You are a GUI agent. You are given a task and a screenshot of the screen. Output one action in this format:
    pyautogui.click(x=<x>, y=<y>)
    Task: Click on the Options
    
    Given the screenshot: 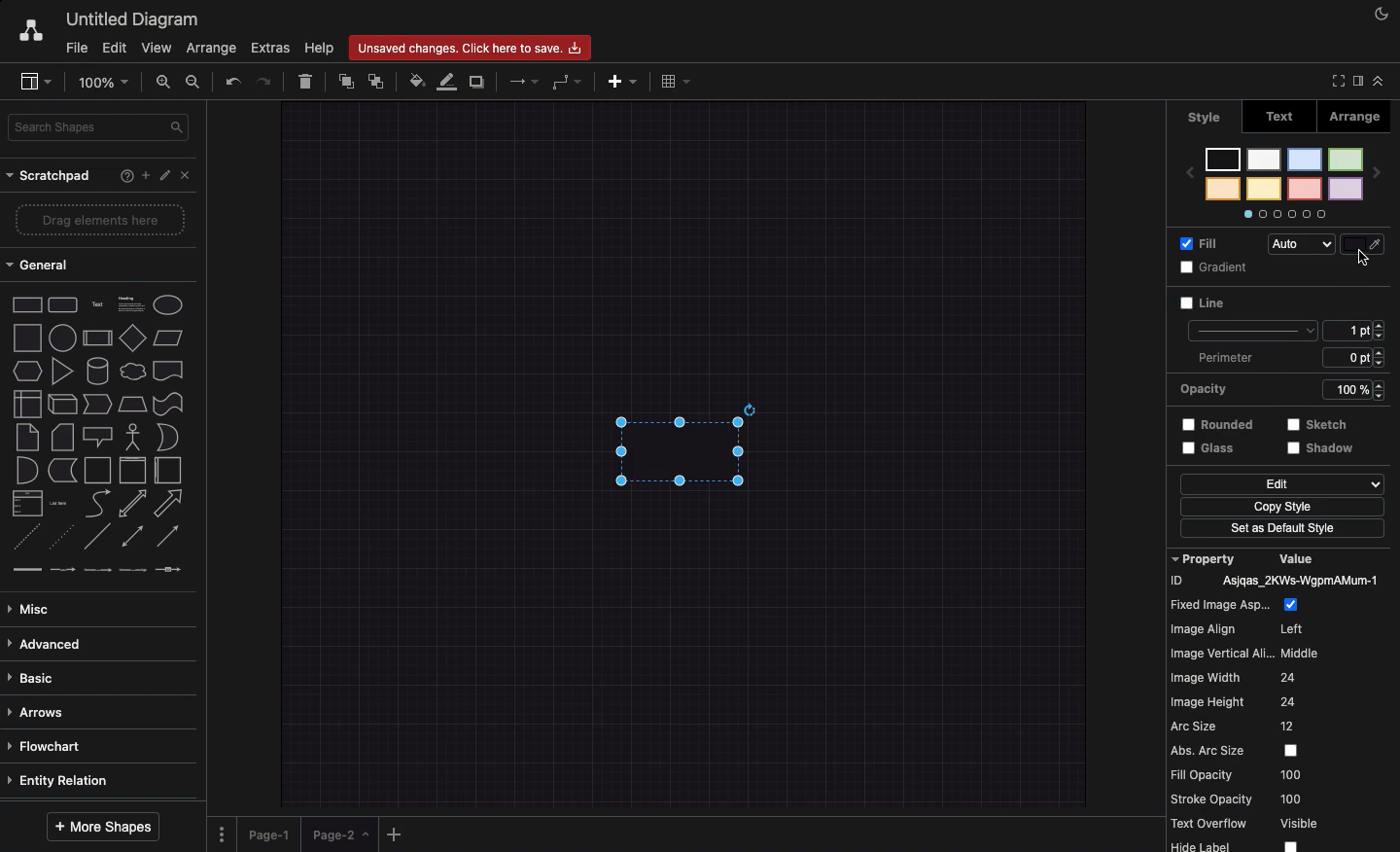 What is the action you would take?
    pyautogui.click(x=222, y=828)
    